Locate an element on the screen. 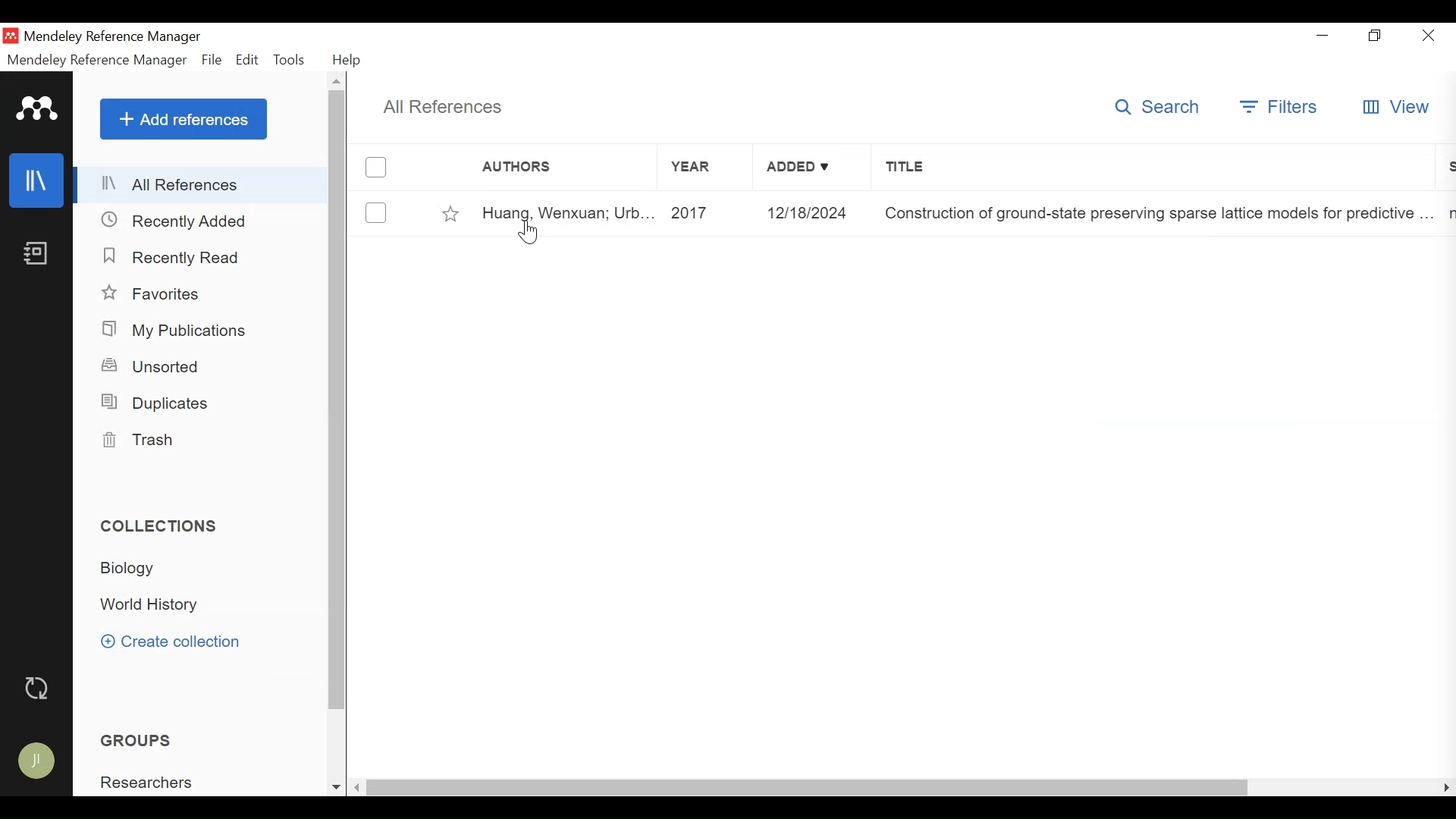 The image size is (1456, 819). Edit is located at coordinates (245, 60).